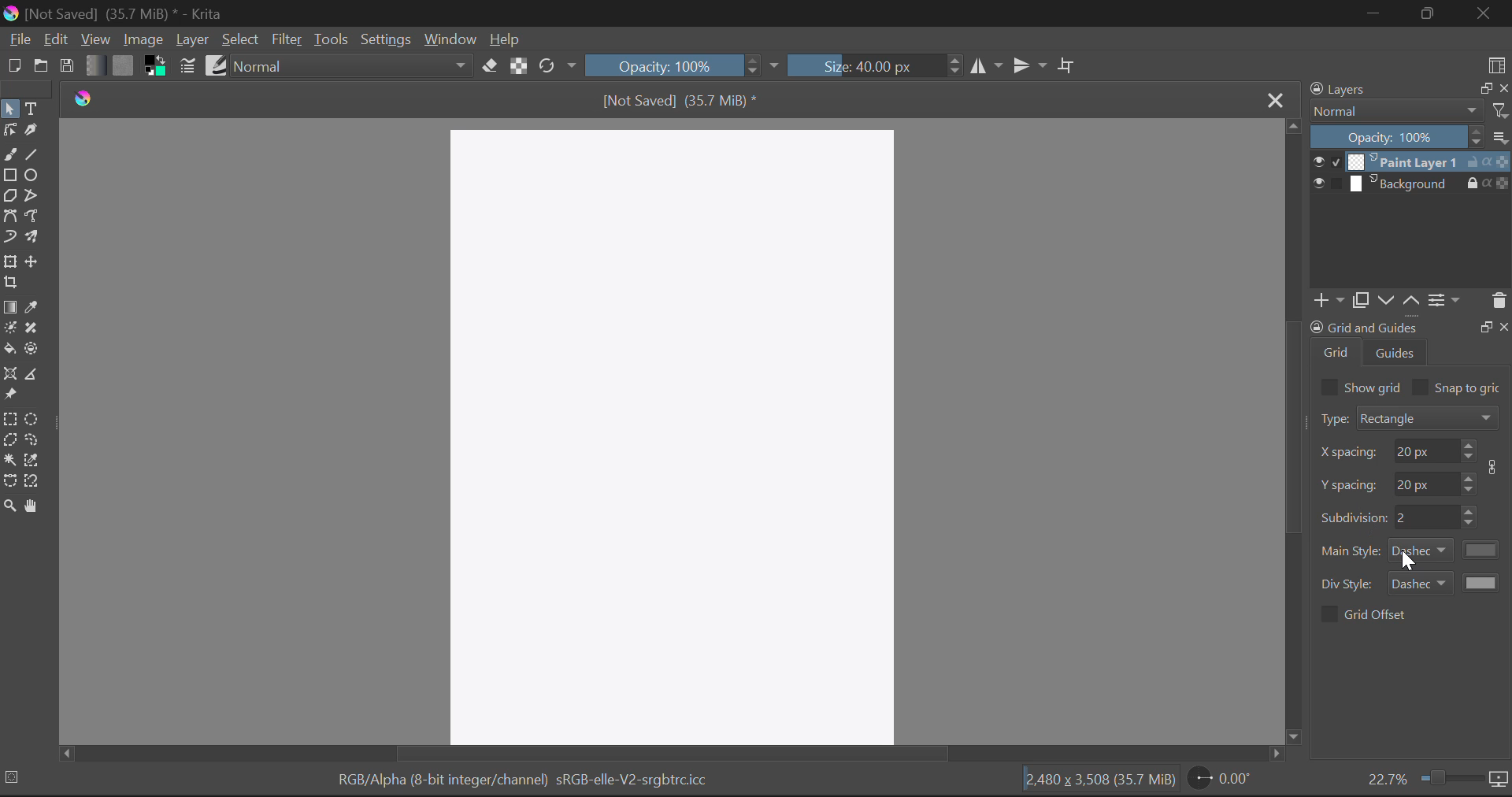  Describe the element at coordinates (13, 65) in the screenshot. I see `New` at that location.